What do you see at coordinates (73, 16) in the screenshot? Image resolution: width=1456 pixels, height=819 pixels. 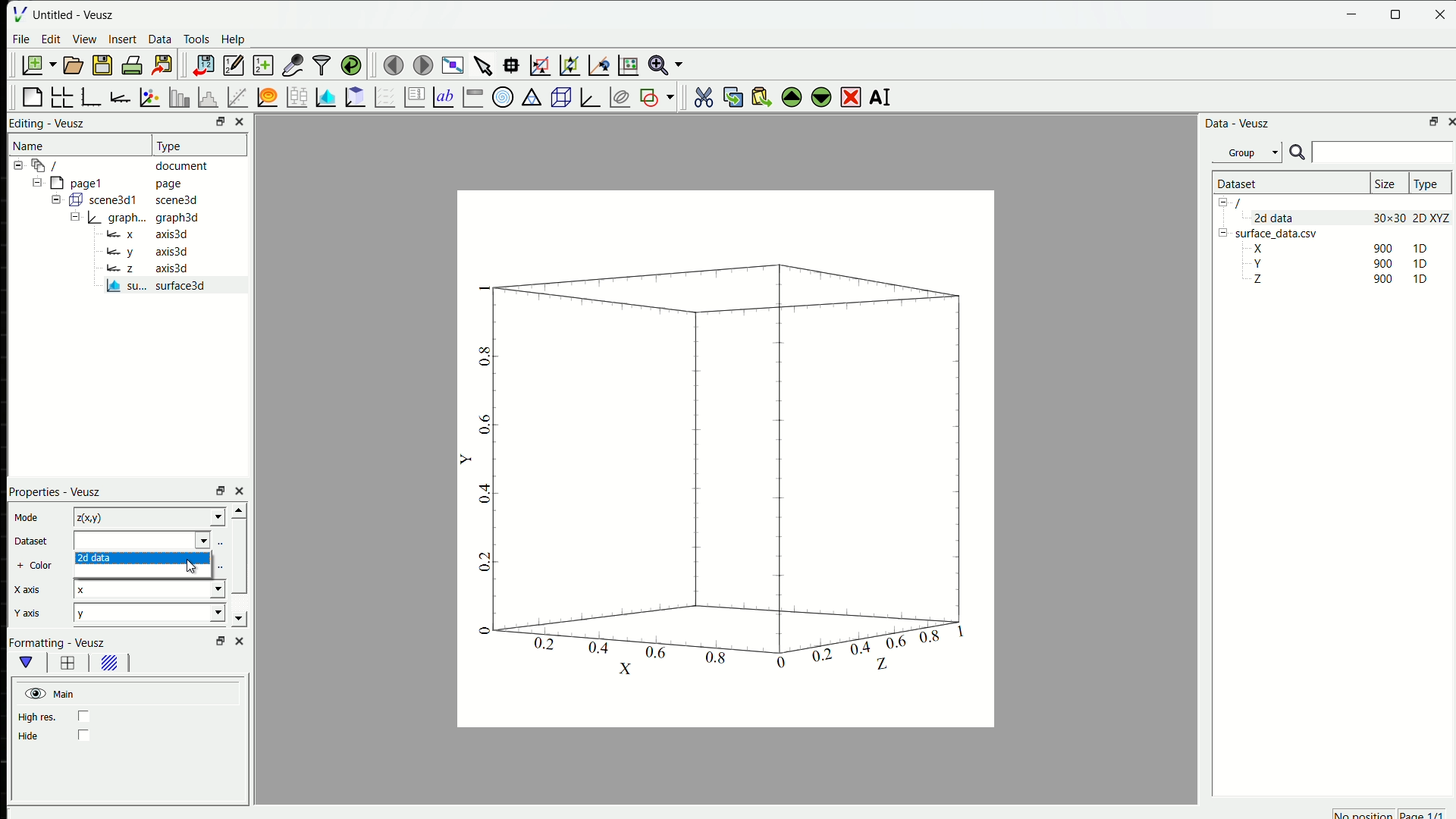 I see `Untitled - Veusz` at bounding box center [73, 16].